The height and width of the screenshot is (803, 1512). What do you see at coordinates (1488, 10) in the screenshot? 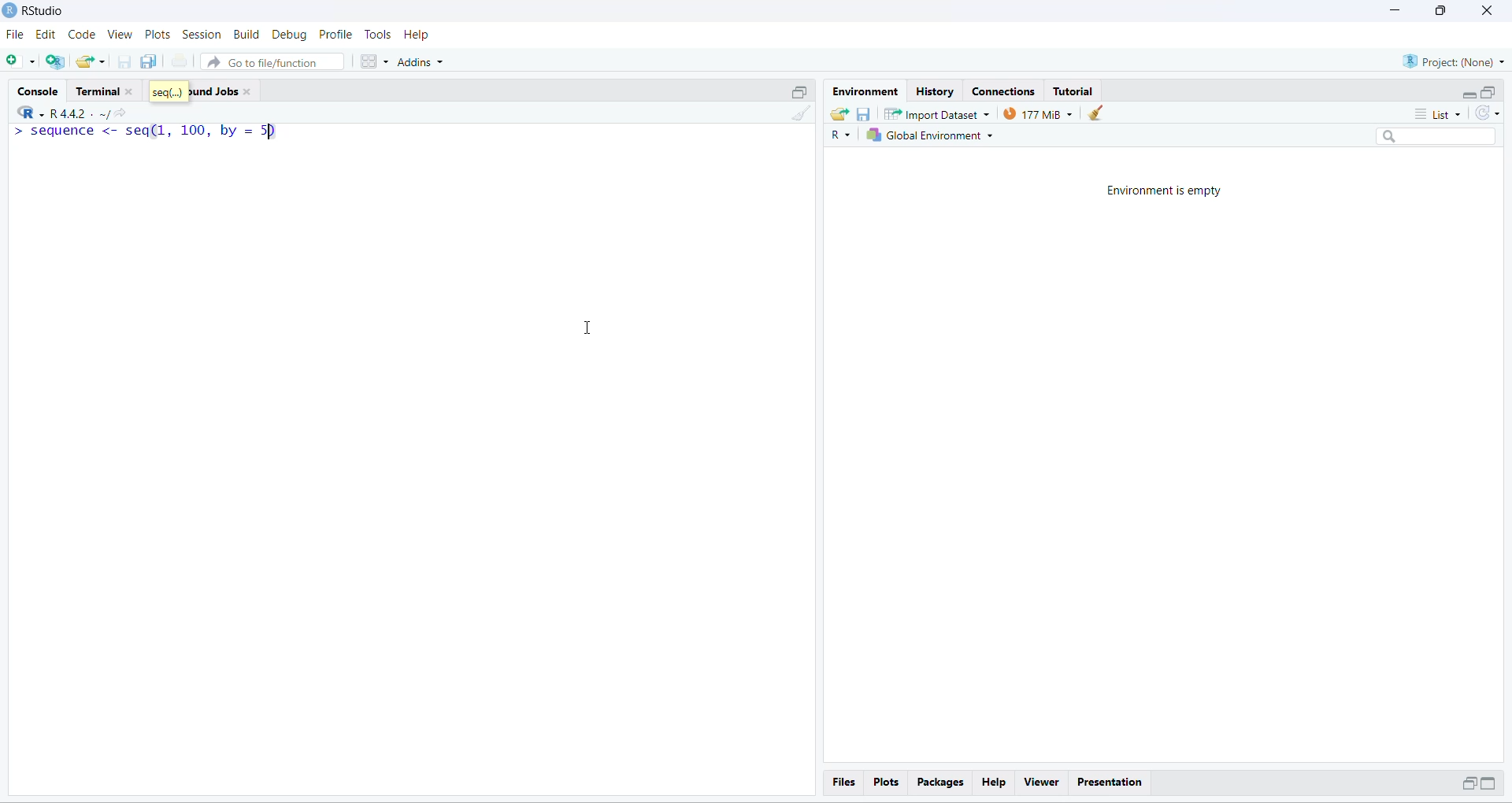
I see `close` at bounding box center [1488, 10].